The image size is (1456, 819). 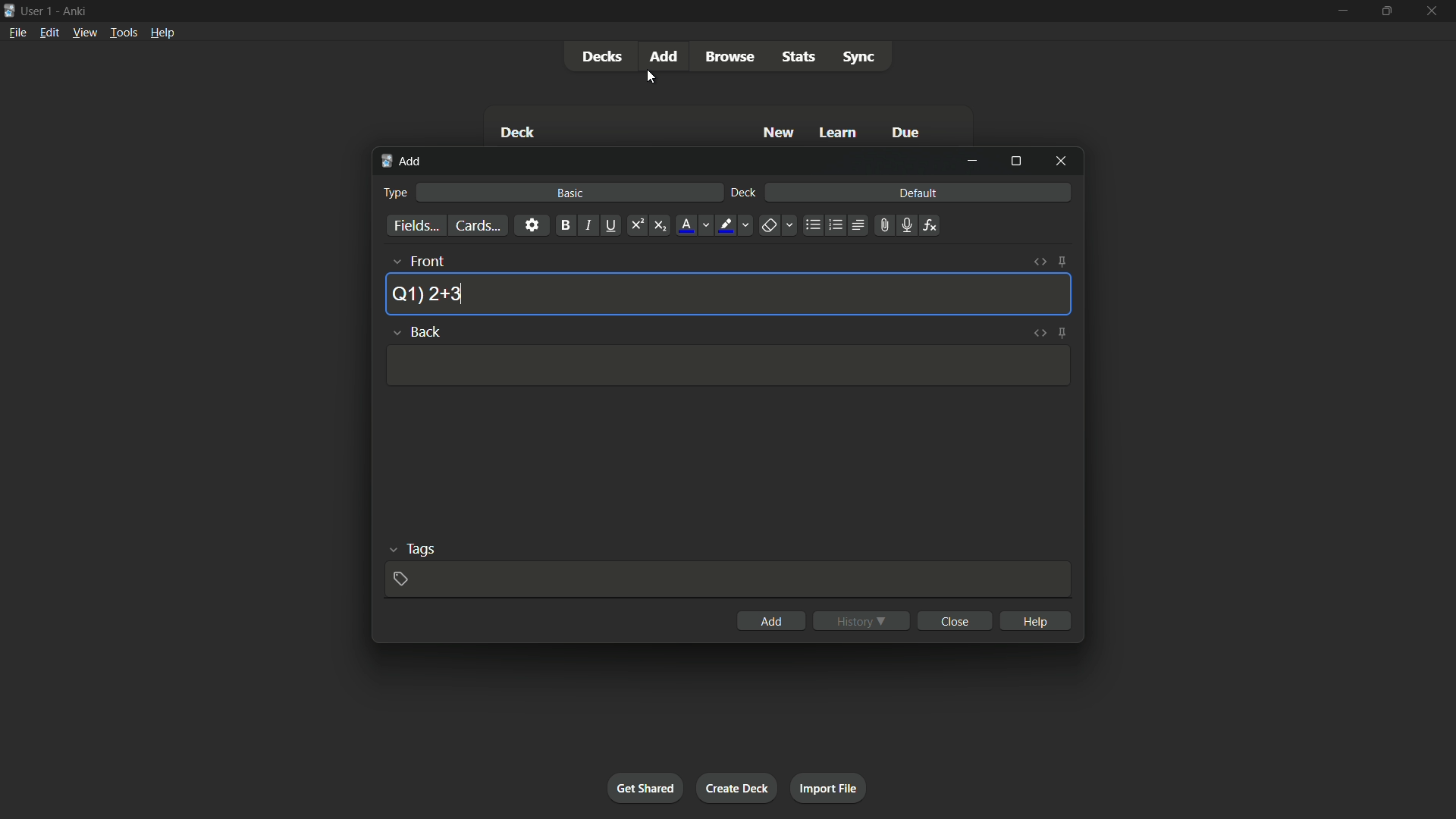 I want to click on import file, so click(x=827, y=786).